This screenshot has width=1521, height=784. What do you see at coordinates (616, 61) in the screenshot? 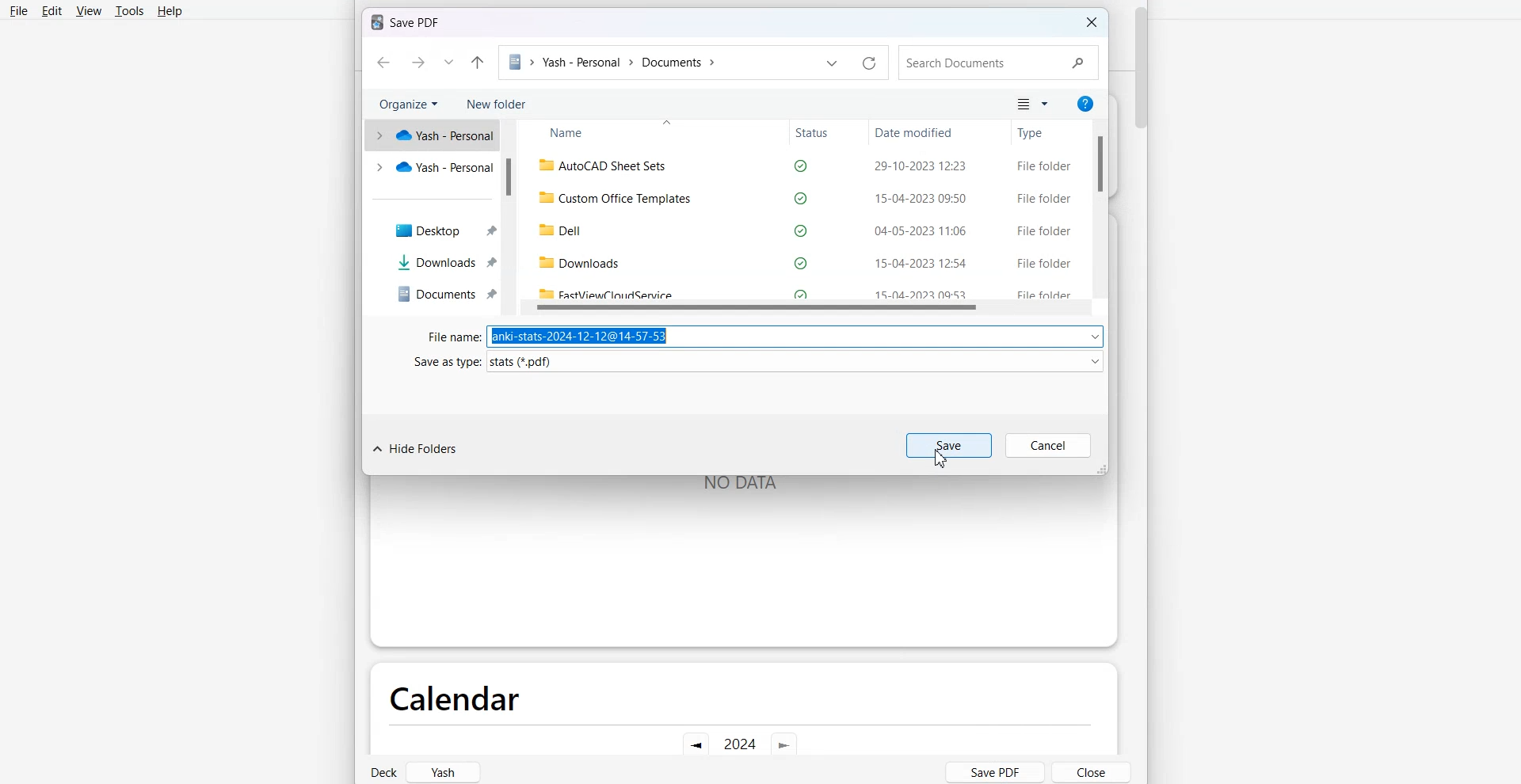
I see `File Path address` at bounding box center [616, 61].